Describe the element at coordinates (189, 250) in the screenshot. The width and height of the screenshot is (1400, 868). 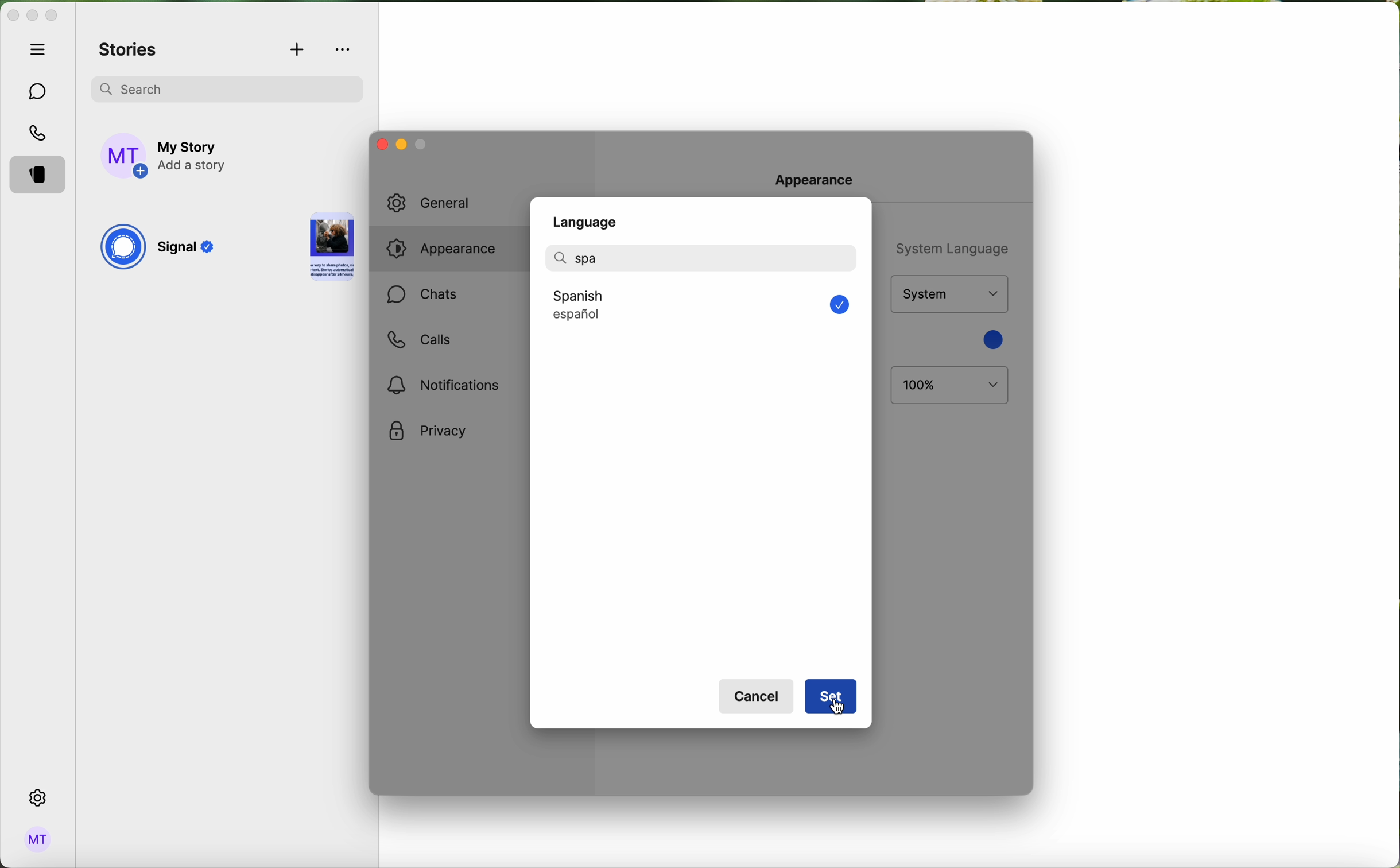
I see `Signal` at that location.